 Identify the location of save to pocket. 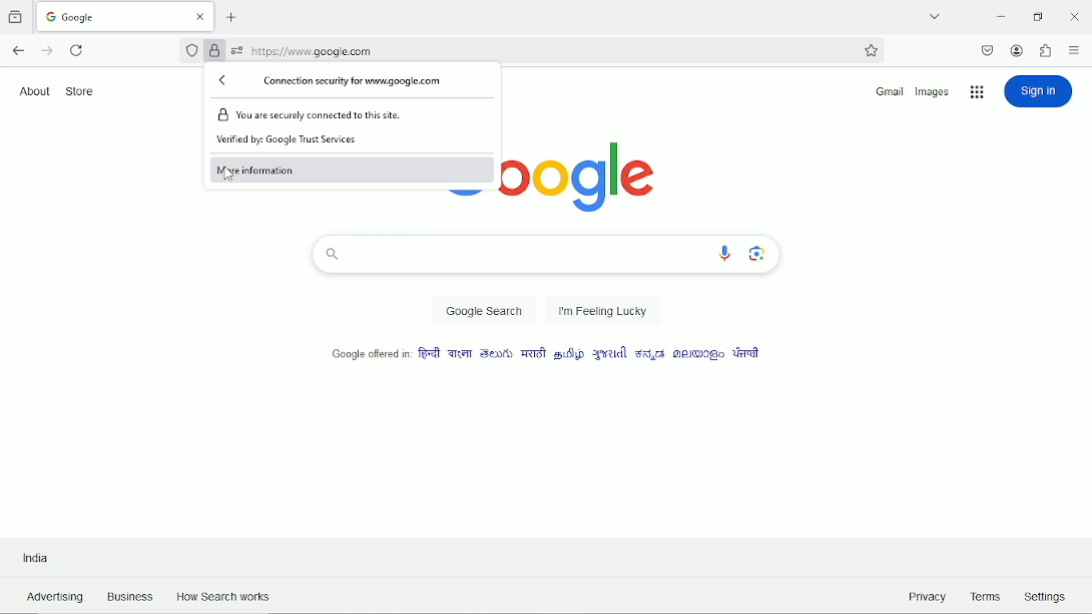
(988, 50).